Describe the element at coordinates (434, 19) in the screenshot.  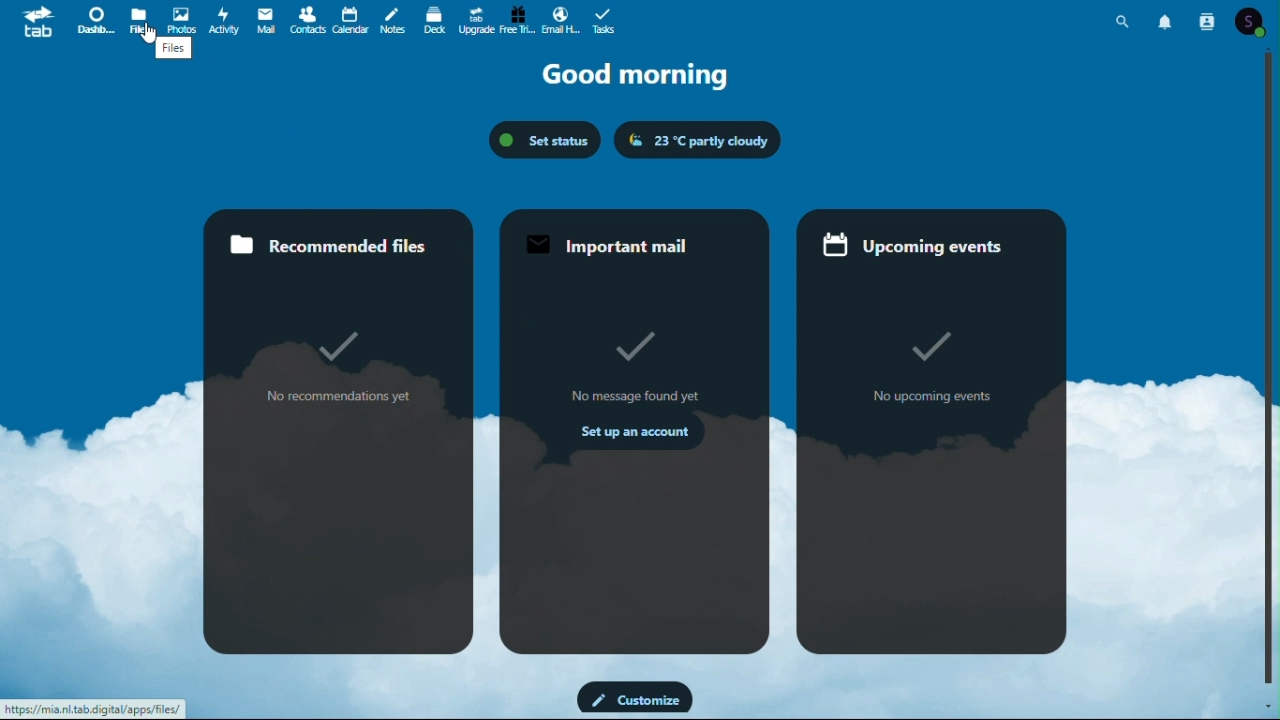
I see `deck` at that location.